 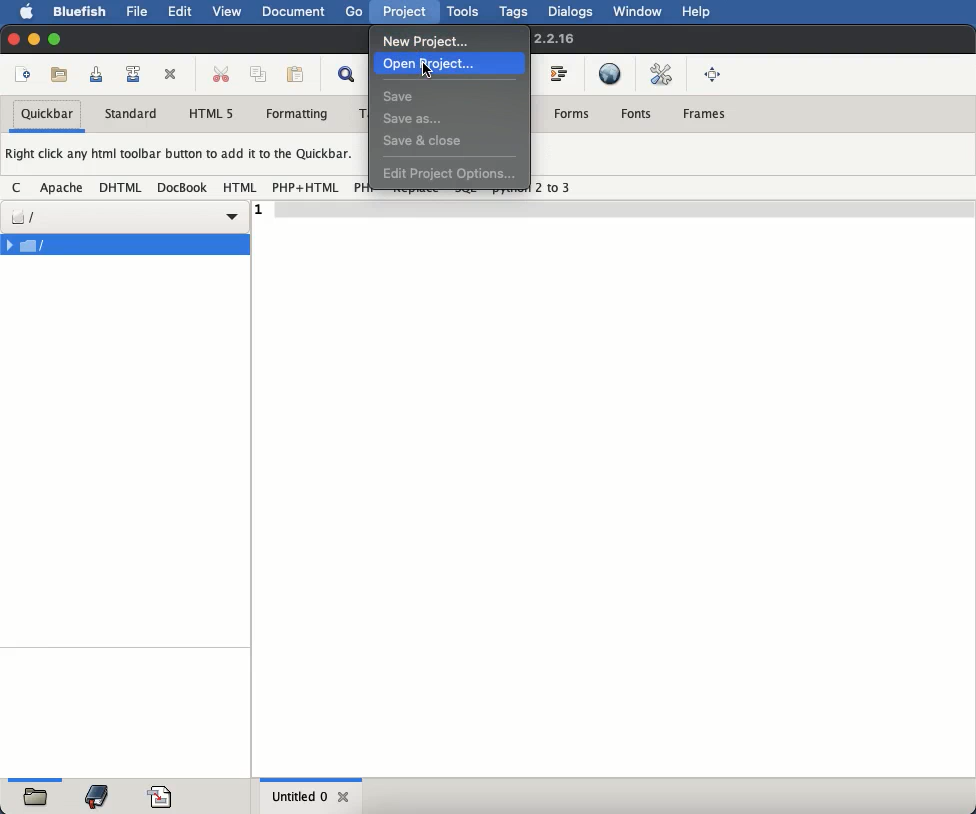 What do you see at coordinates (662, 73) in the screenshot?
I see `edit preferences ` at bounding box center [662, 73].